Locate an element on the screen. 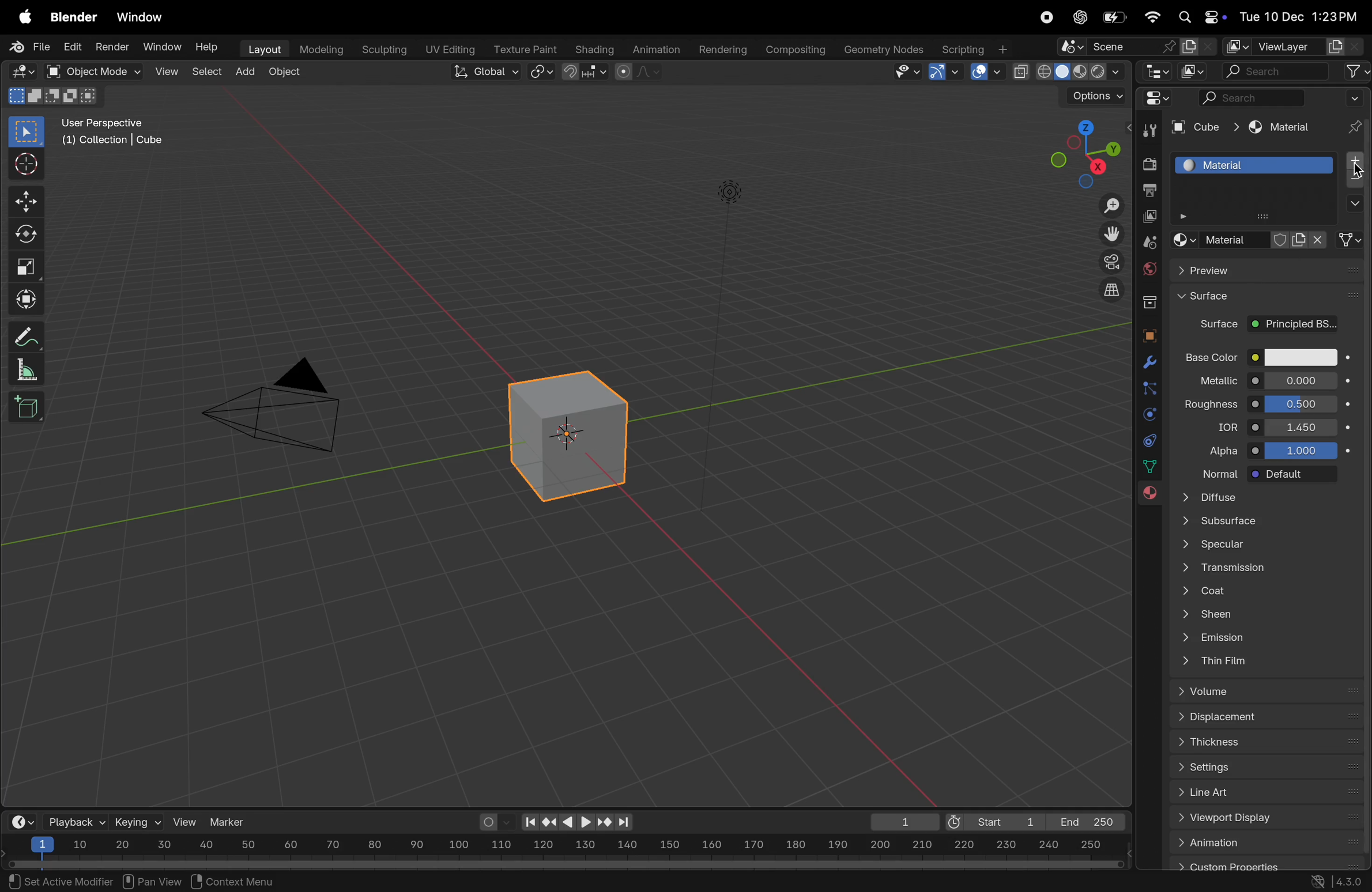 The image size is (1372, 892). orthographic view is located at coordinates (1113, 289).